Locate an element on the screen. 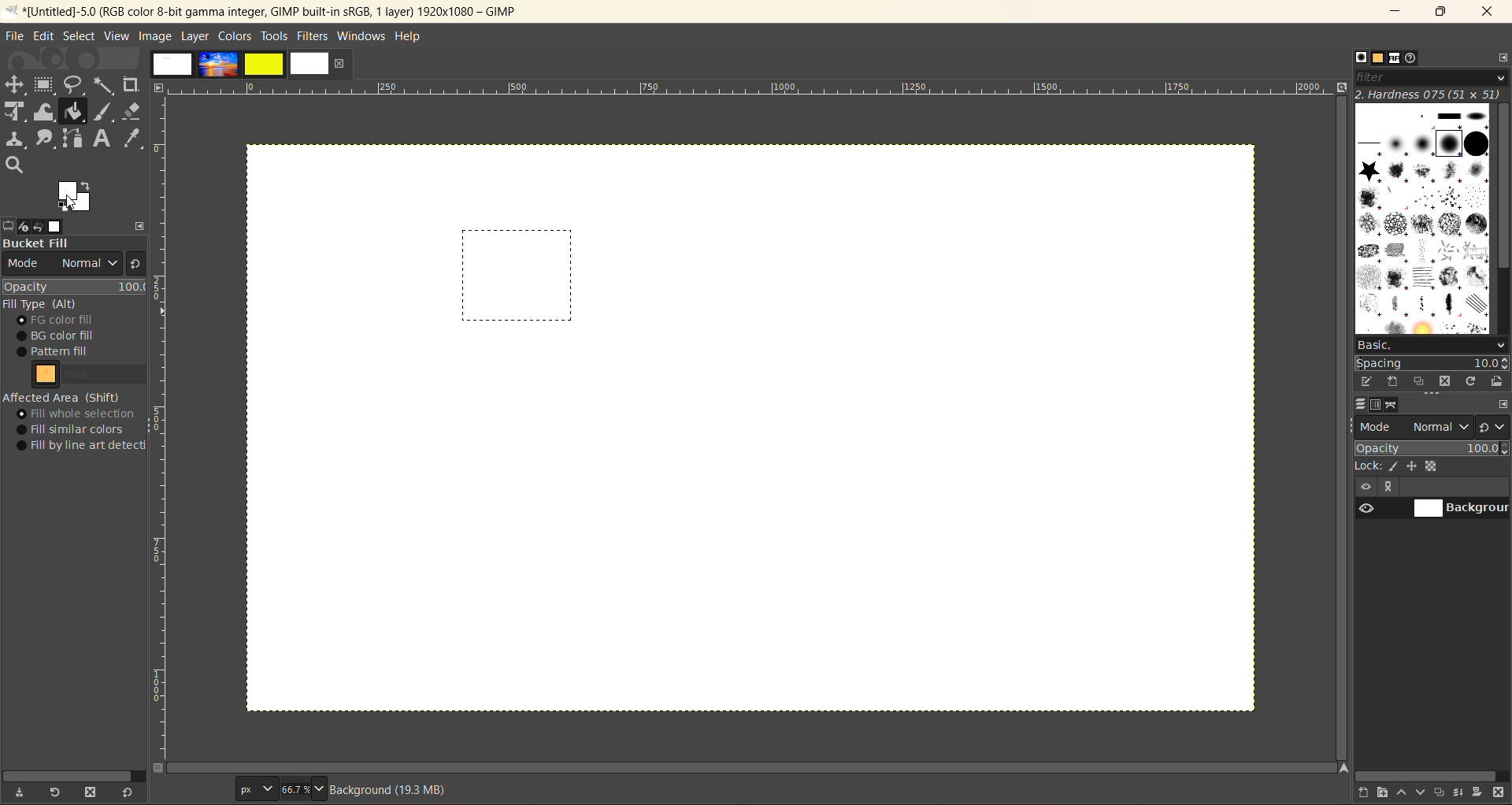 This screenshot has height=805, width=1512. delete this brush is located at coordinates (1445, 381).